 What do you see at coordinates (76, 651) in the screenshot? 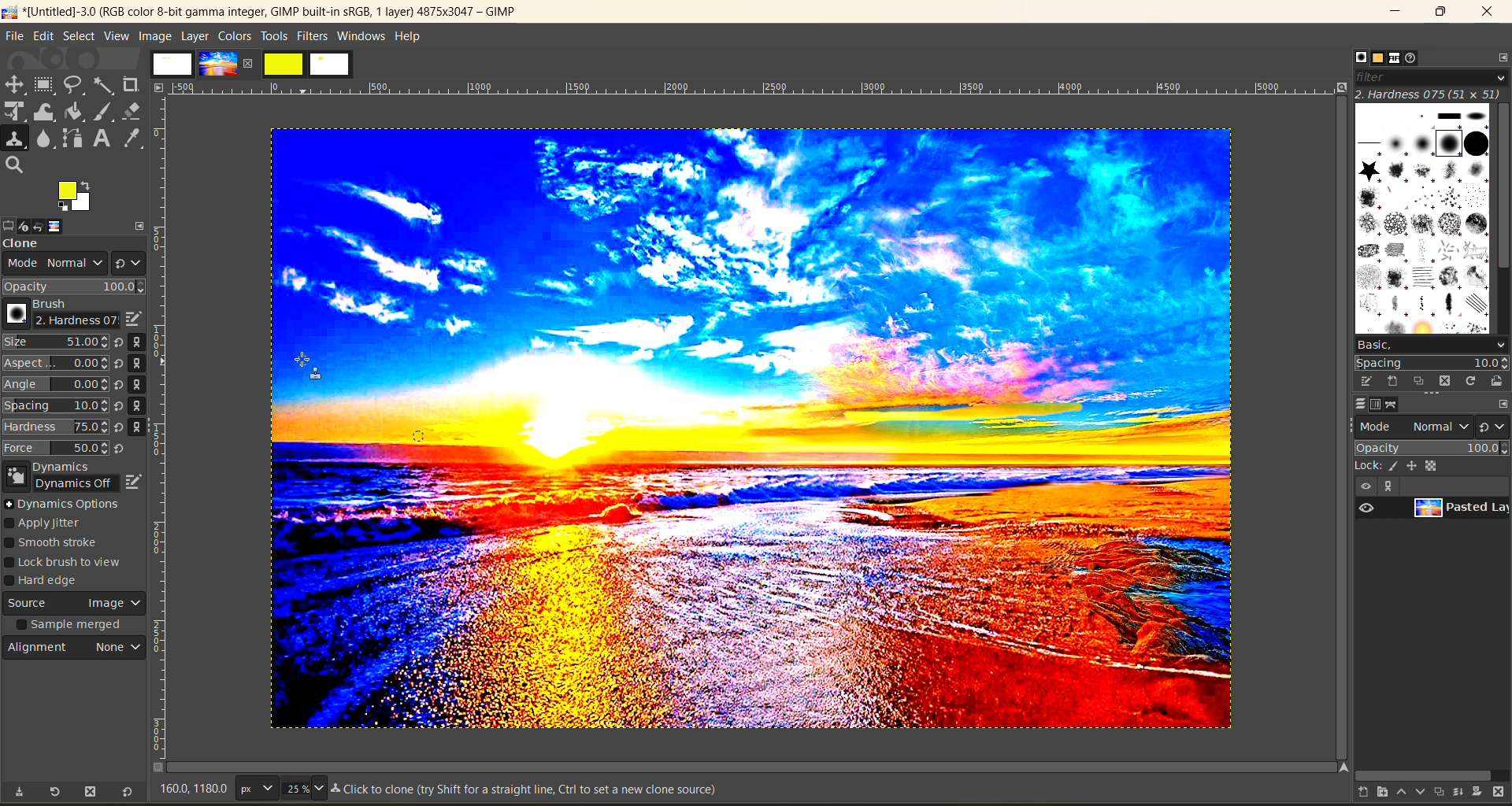
I see `alignment` at bounding box center [76, 651].